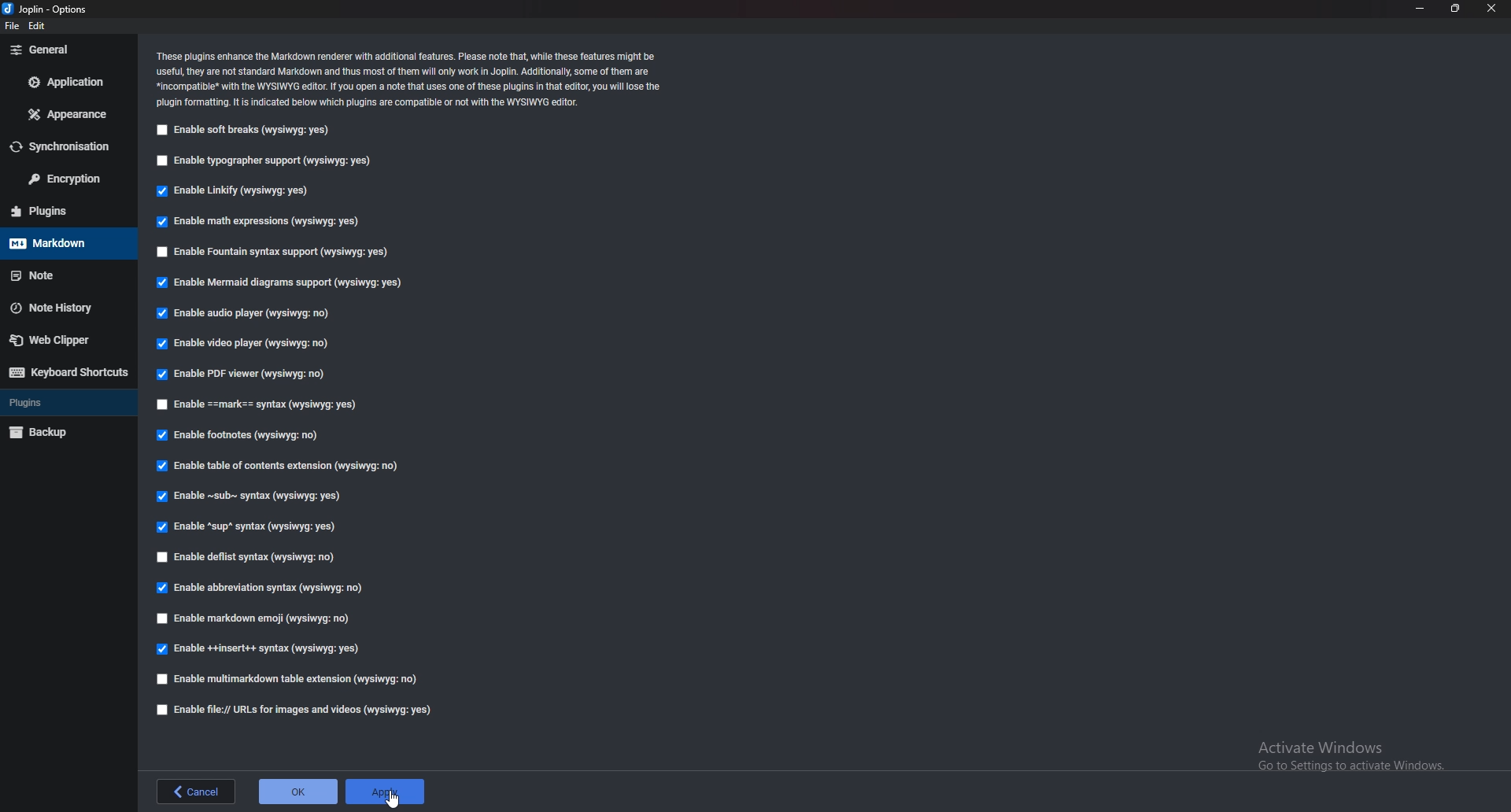 Image resolution: width=1511 pixels, height=812 pixels. I want to click on Enable audio player, so click(249, 312).